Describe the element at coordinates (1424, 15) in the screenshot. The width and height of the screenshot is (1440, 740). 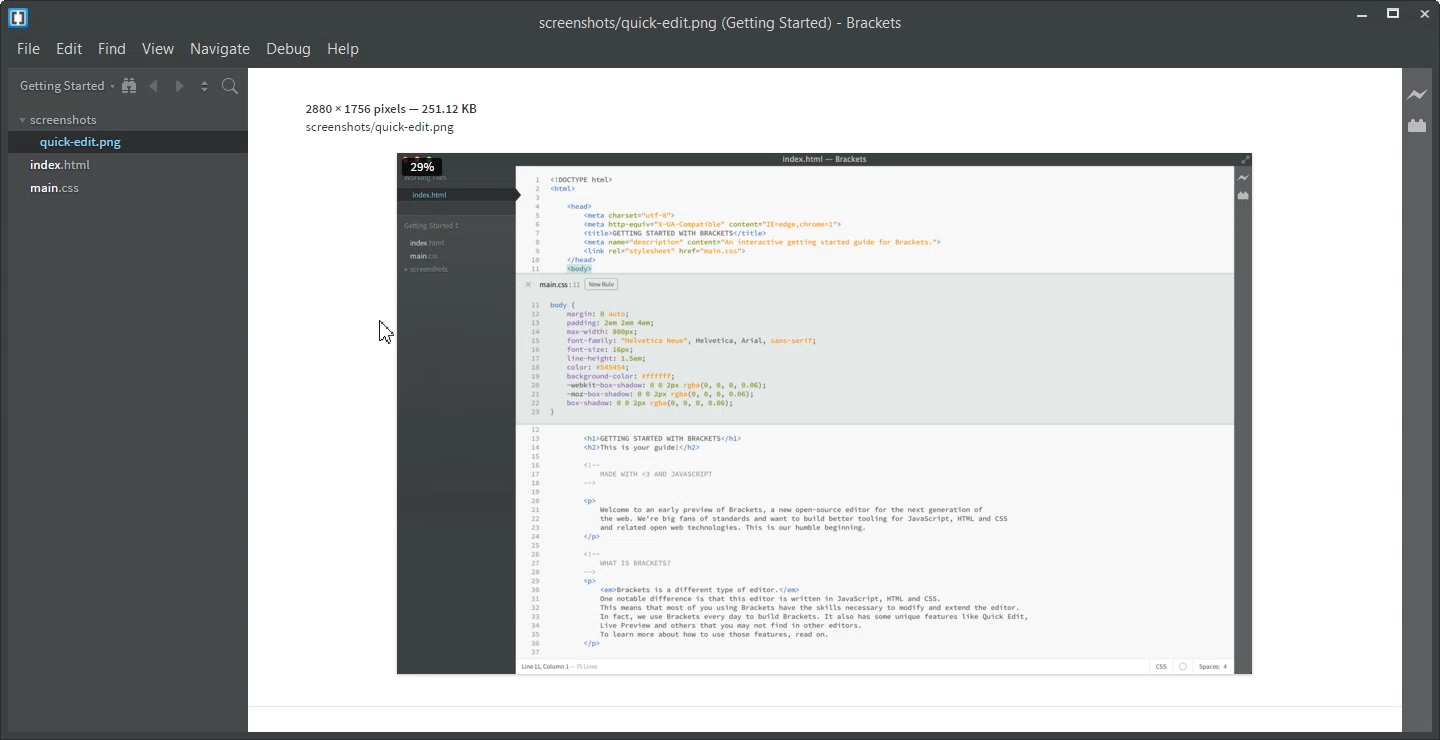
I see `Close` at that location.